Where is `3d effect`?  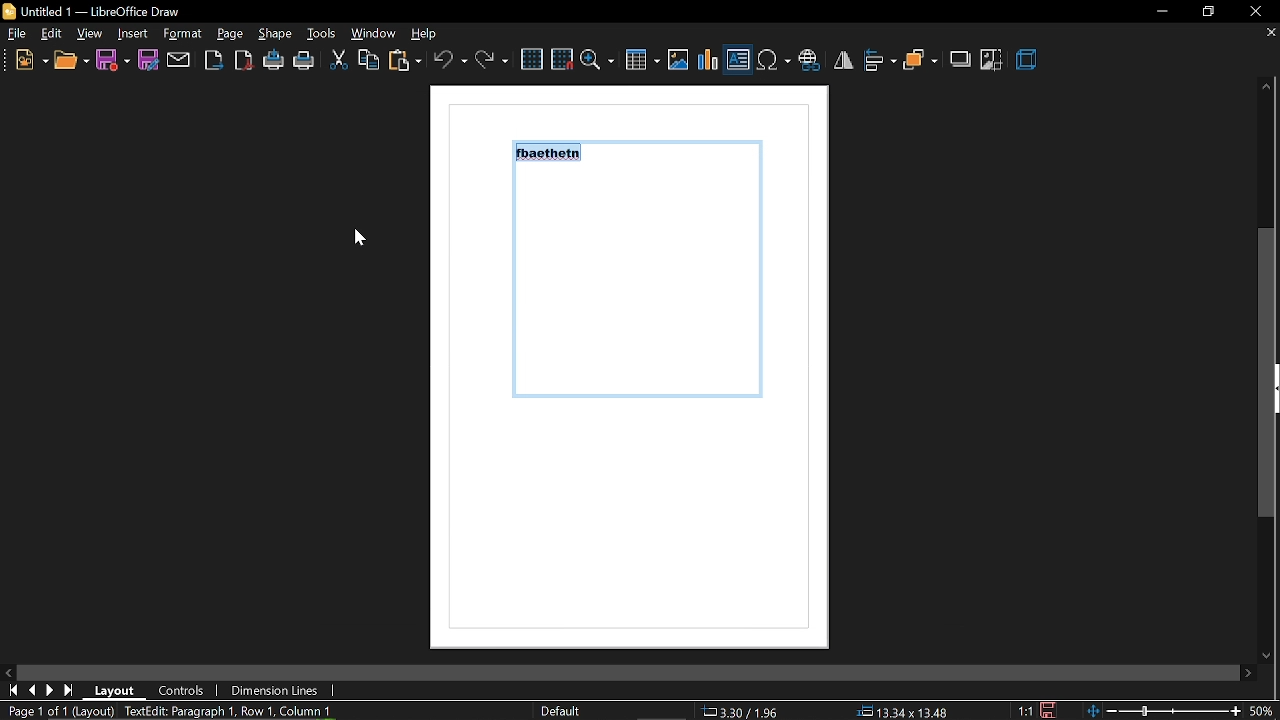 3d effect is located at coordinates (1028, 61).